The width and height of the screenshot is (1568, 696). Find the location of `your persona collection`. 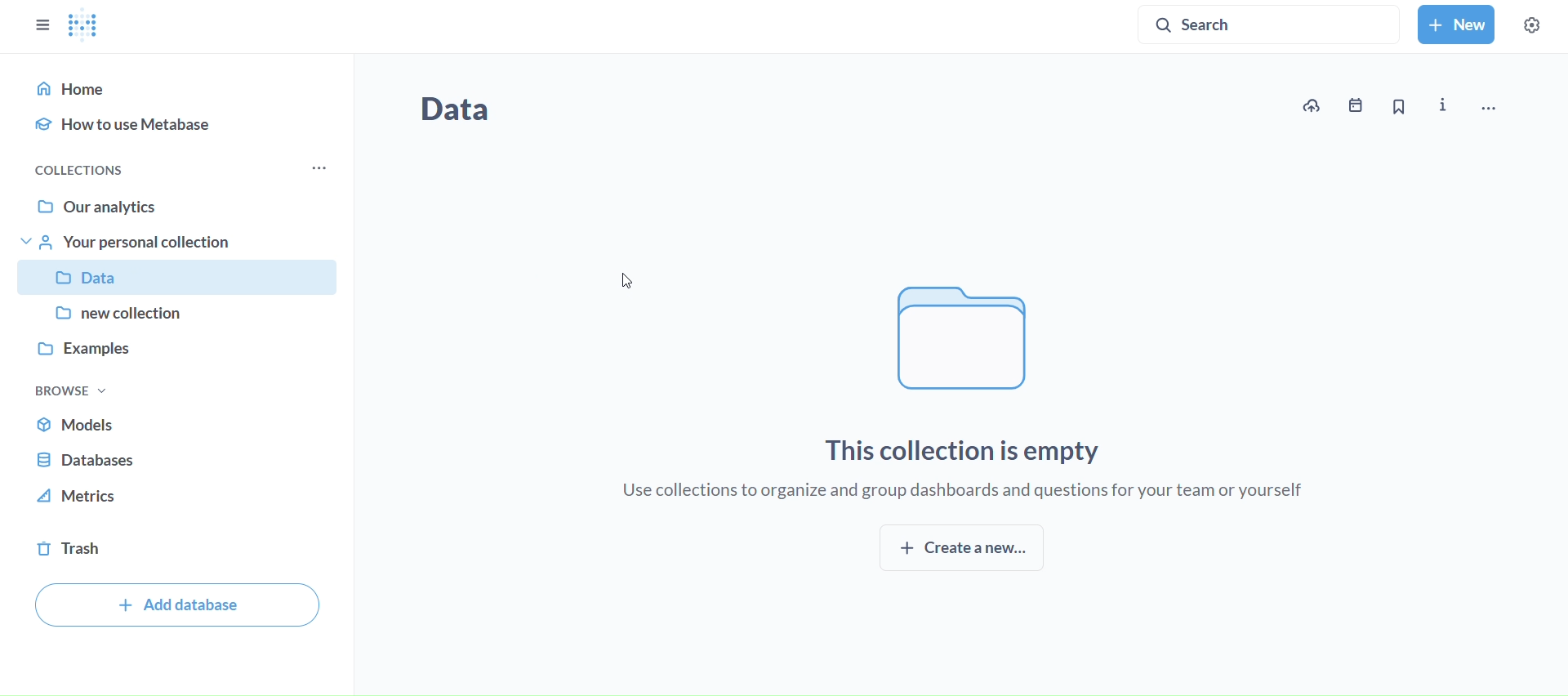

your persona collection is located at coordinates (178, 239).